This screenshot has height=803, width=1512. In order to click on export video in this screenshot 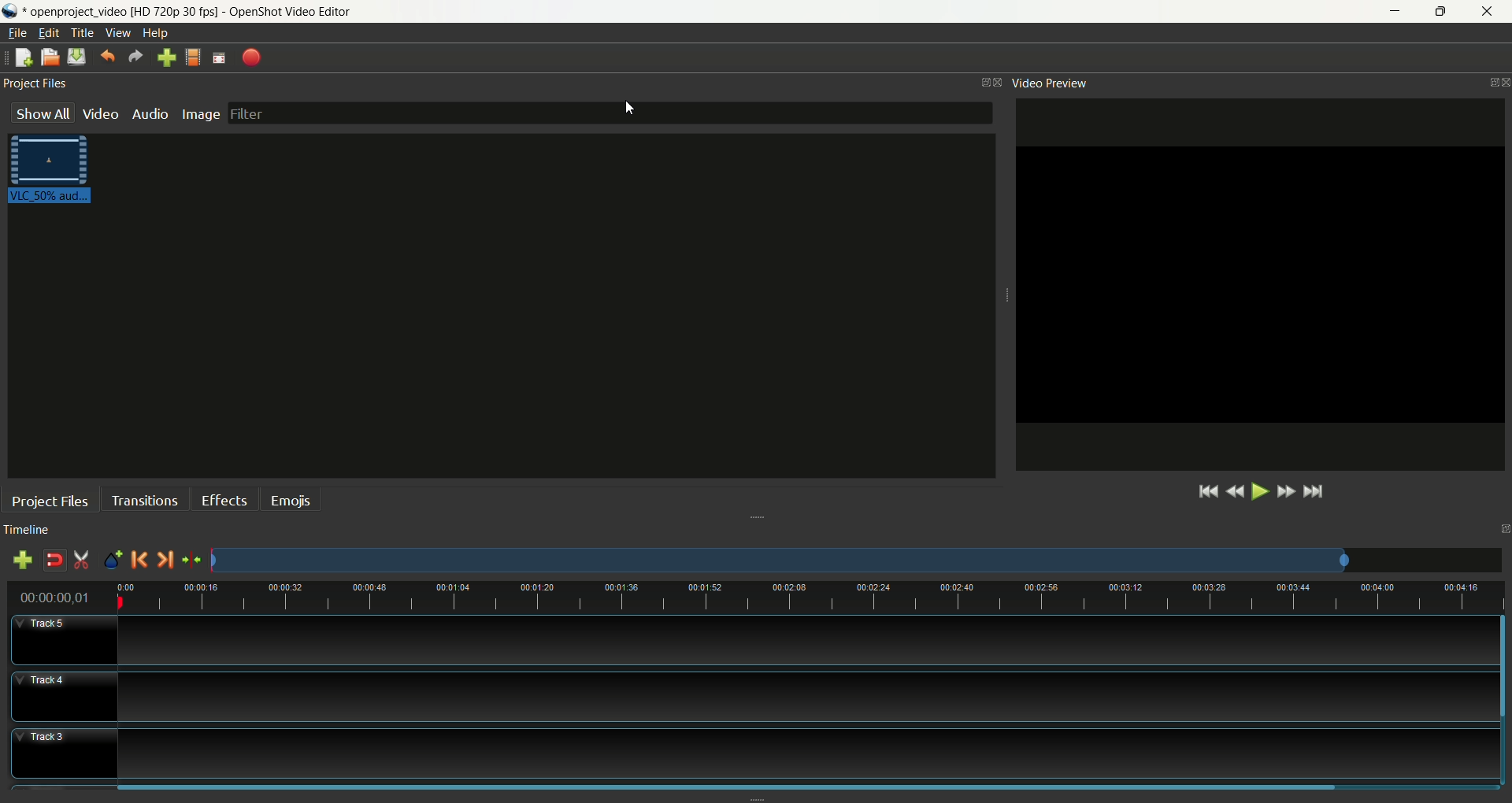, I will do `click(252, 57)`.